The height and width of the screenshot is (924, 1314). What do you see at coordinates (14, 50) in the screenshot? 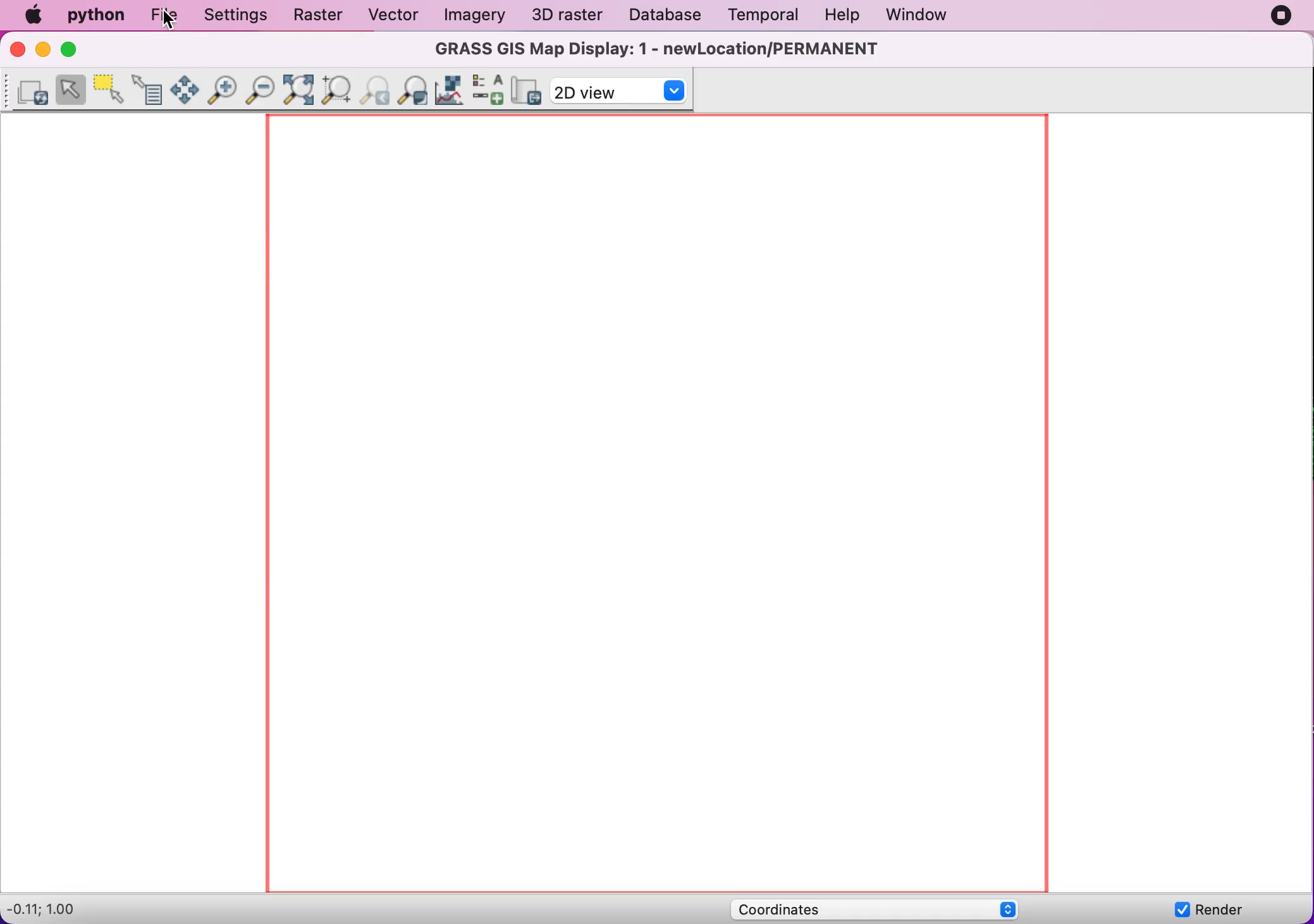
I see `close` at bounding box center [14, 50].